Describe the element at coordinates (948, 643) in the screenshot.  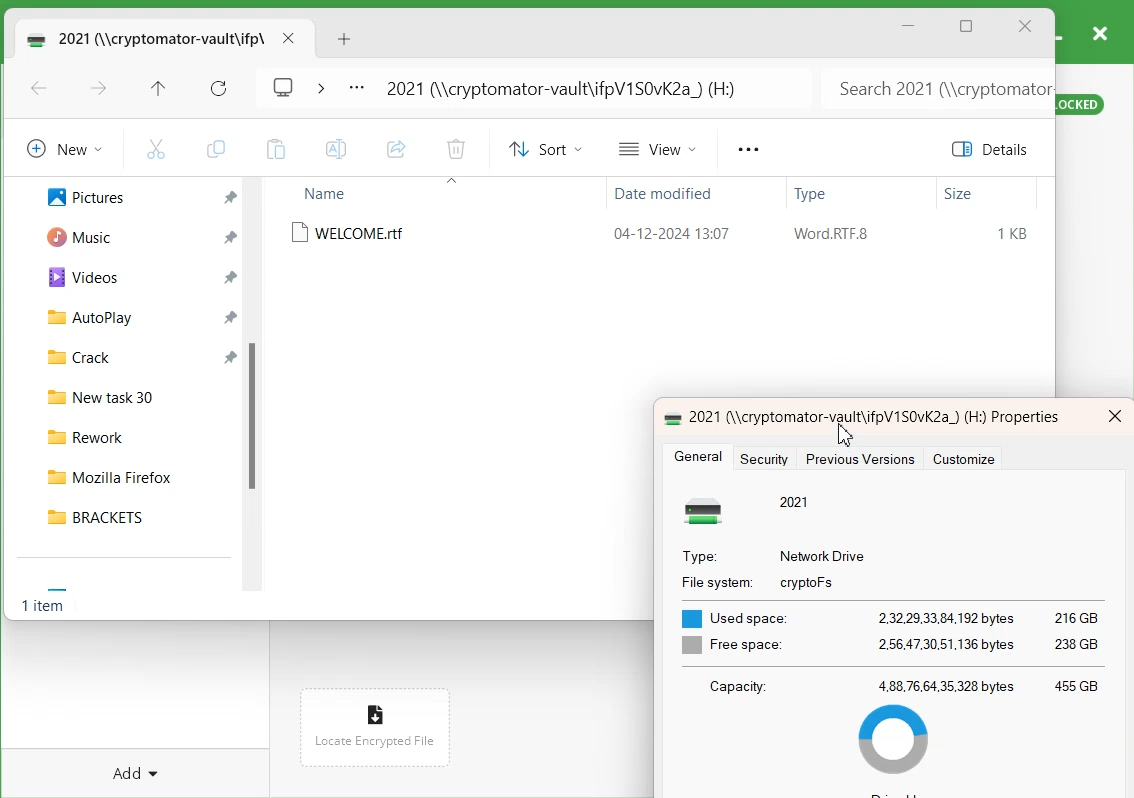
I see `256.47.30.51.136 bytes.` at that location.